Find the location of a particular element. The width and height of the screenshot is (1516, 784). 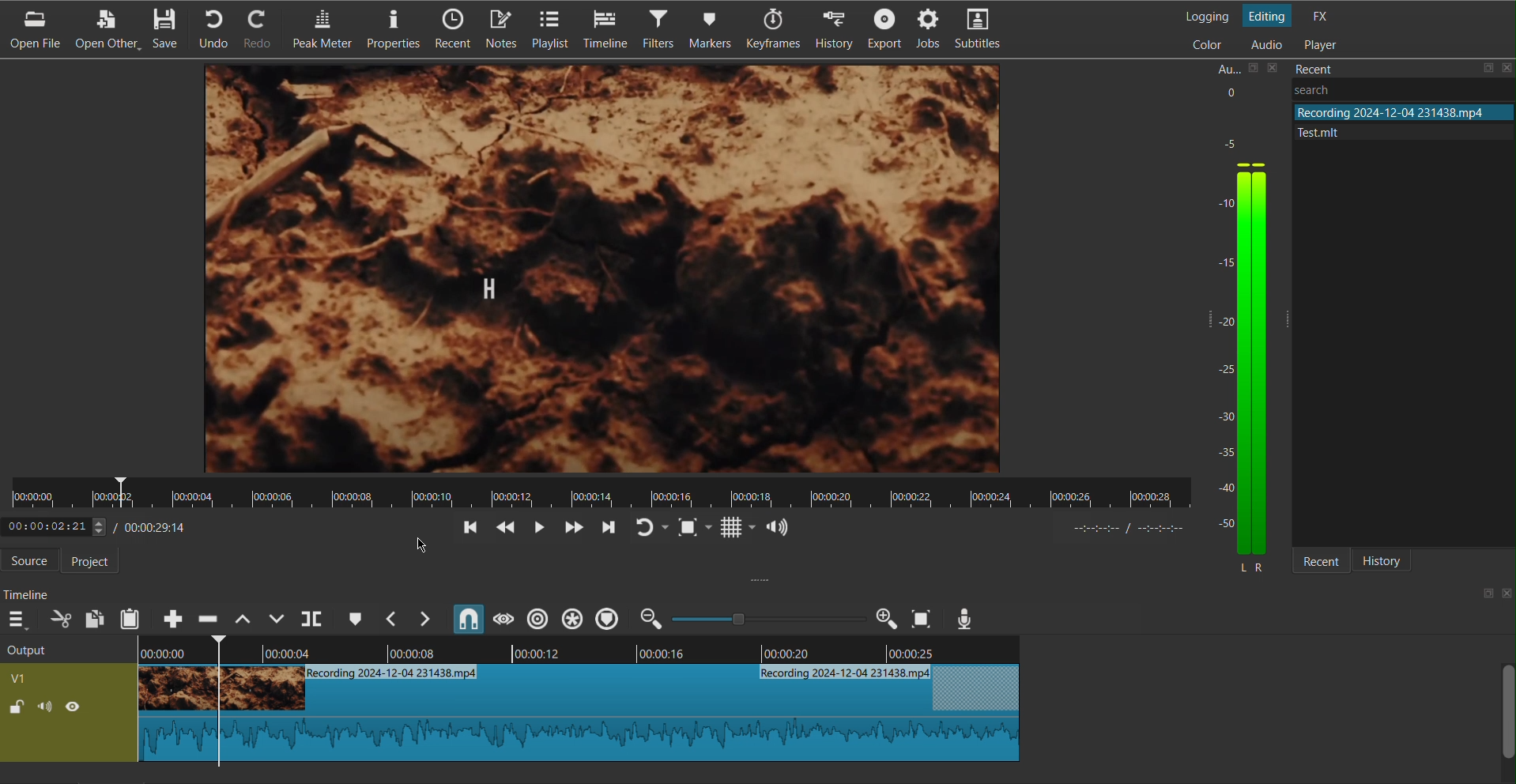

Skip Forward is located at coordinates (572, 528).